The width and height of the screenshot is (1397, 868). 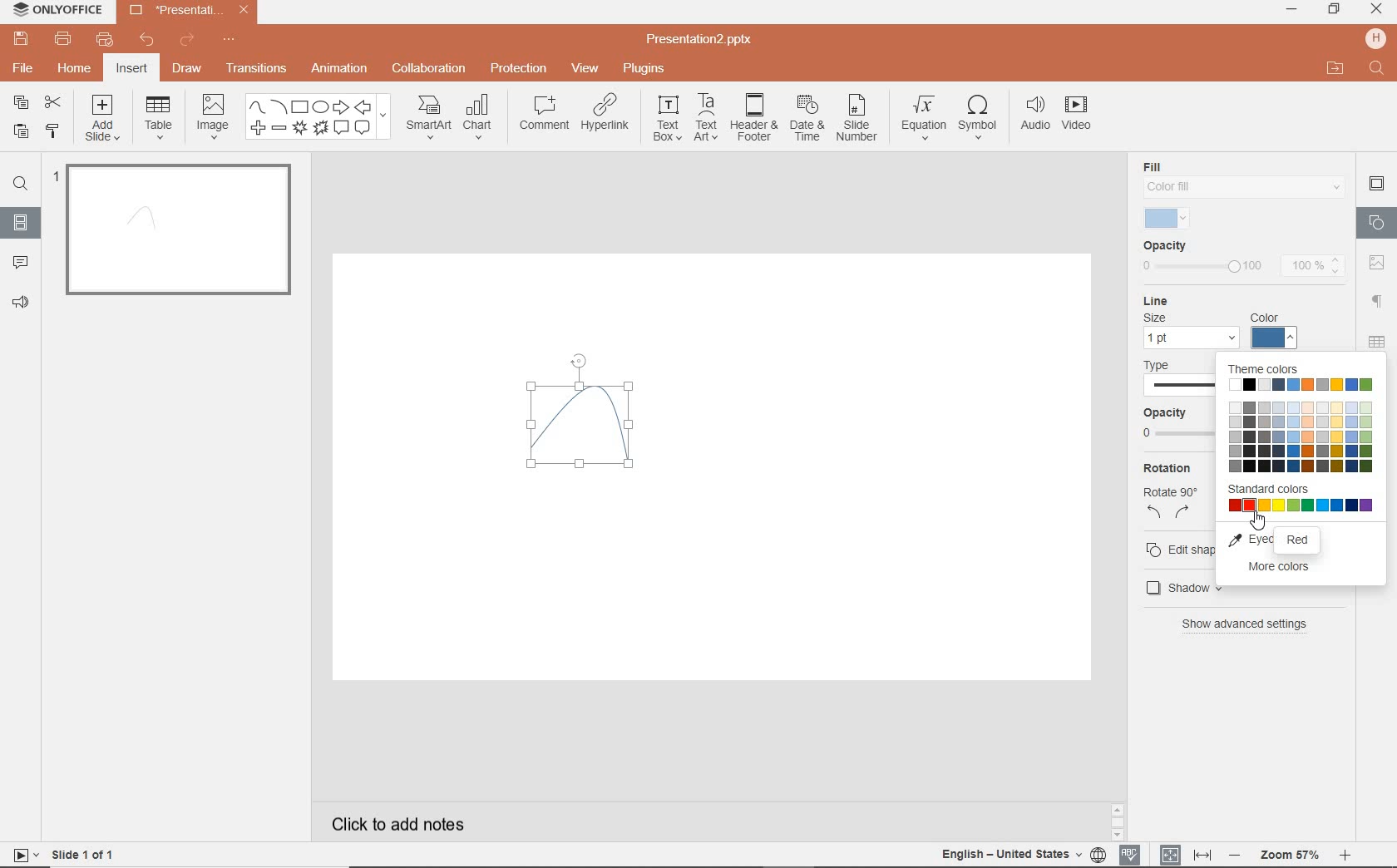 I want to click on ADD SLIDE, so click(x=104, y=121).